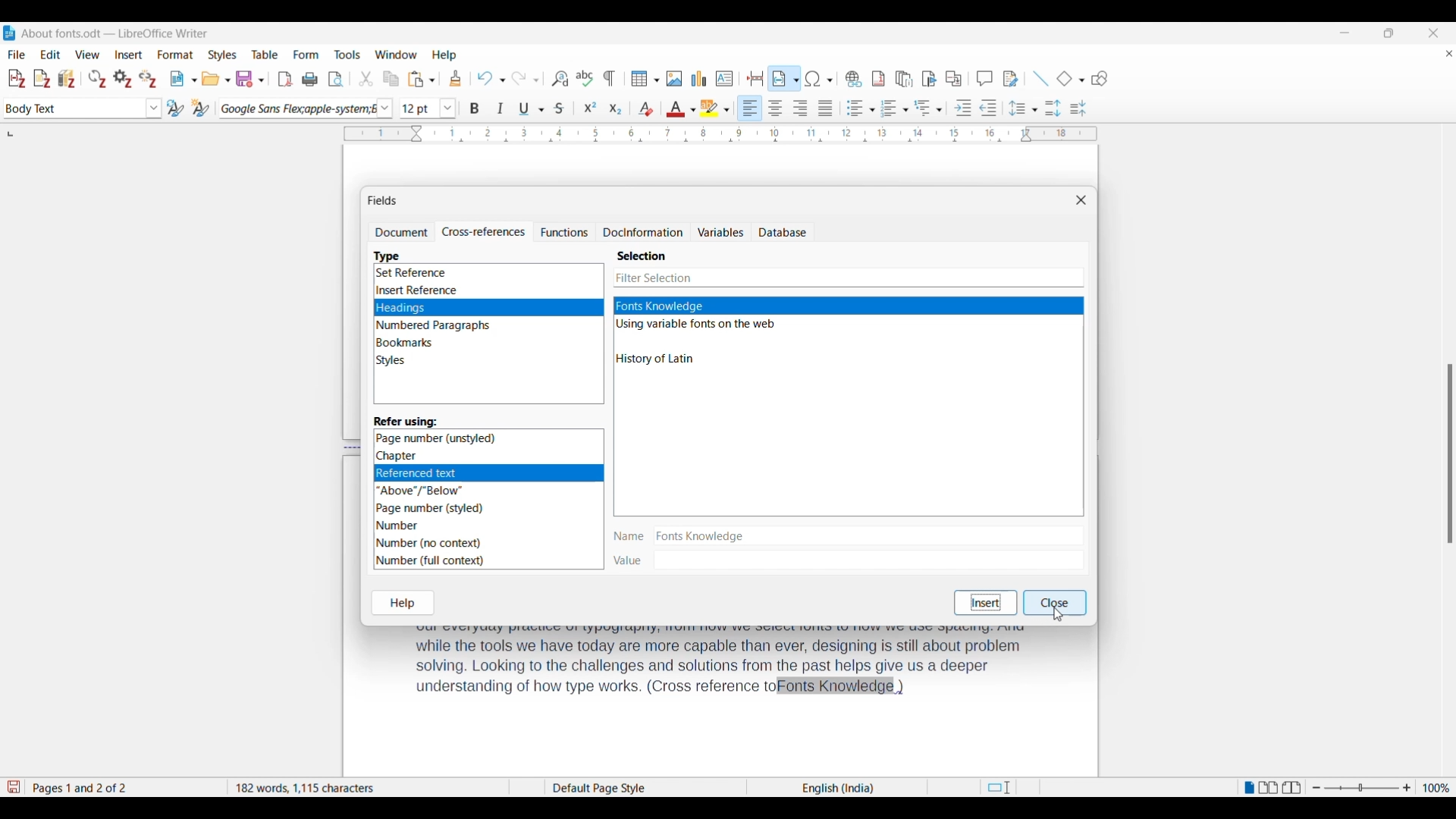  Describe the element at coordinates (413, 274) in the screenshot. I see `Set Reference` at that location.